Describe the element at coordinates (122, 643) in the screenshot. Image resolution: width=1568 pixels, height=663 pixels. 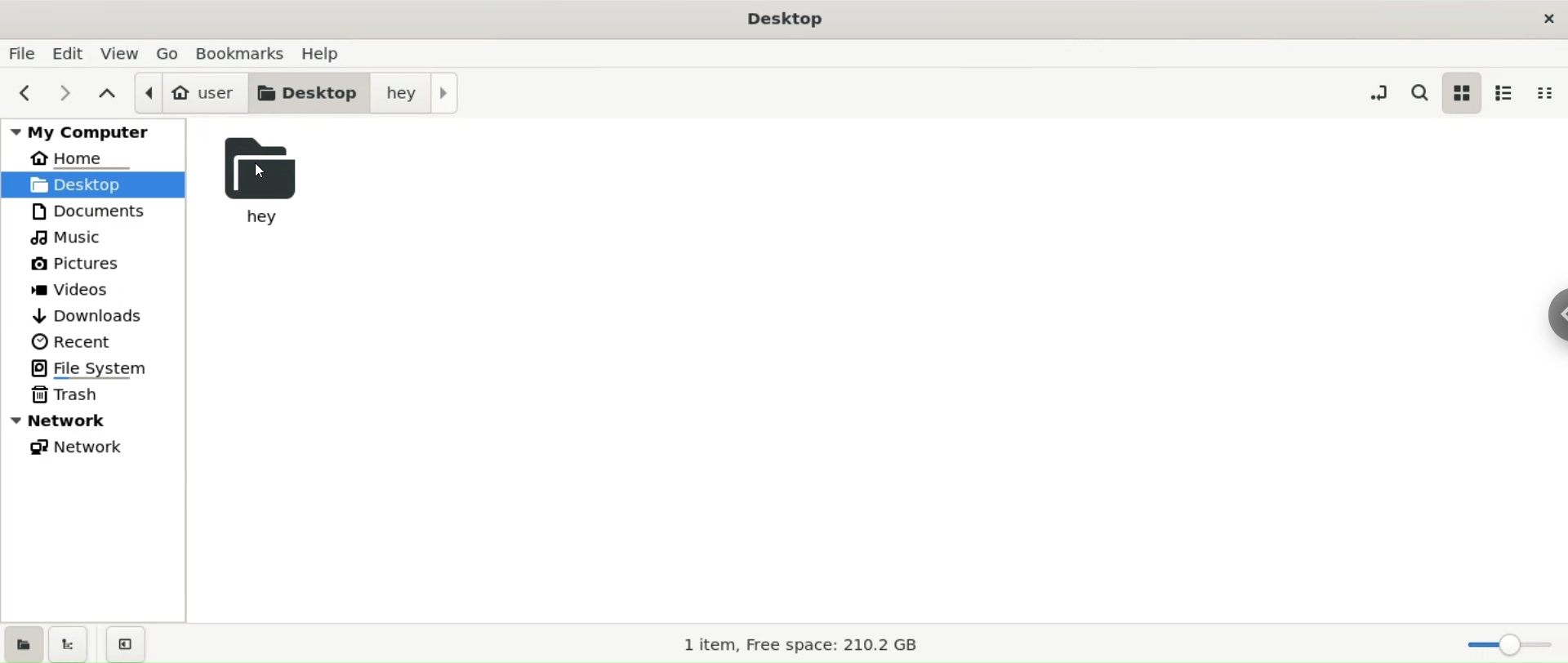
I see `close sidebar` at that location.